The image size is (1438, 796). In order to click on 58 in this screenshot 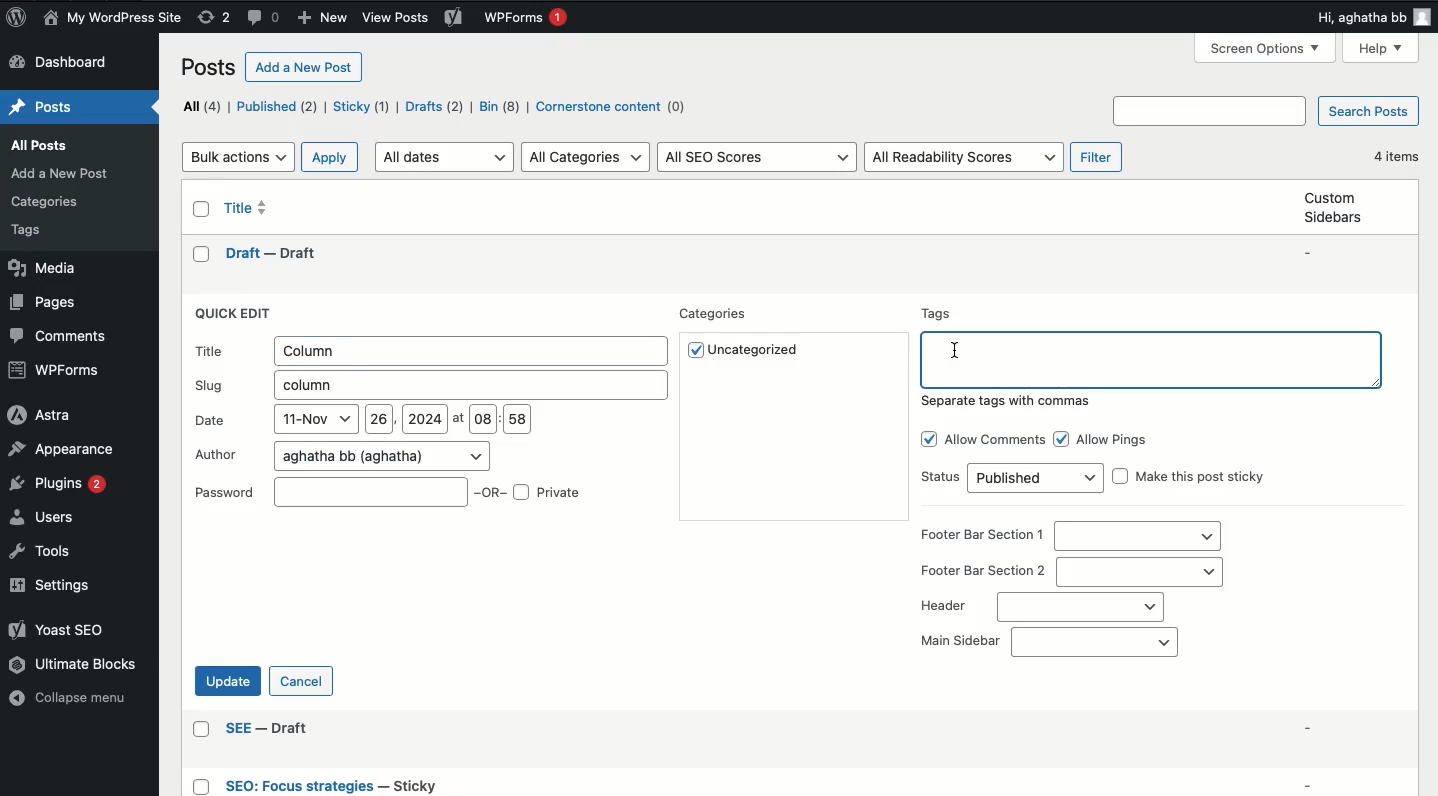, I will do `click(517, 420)`.